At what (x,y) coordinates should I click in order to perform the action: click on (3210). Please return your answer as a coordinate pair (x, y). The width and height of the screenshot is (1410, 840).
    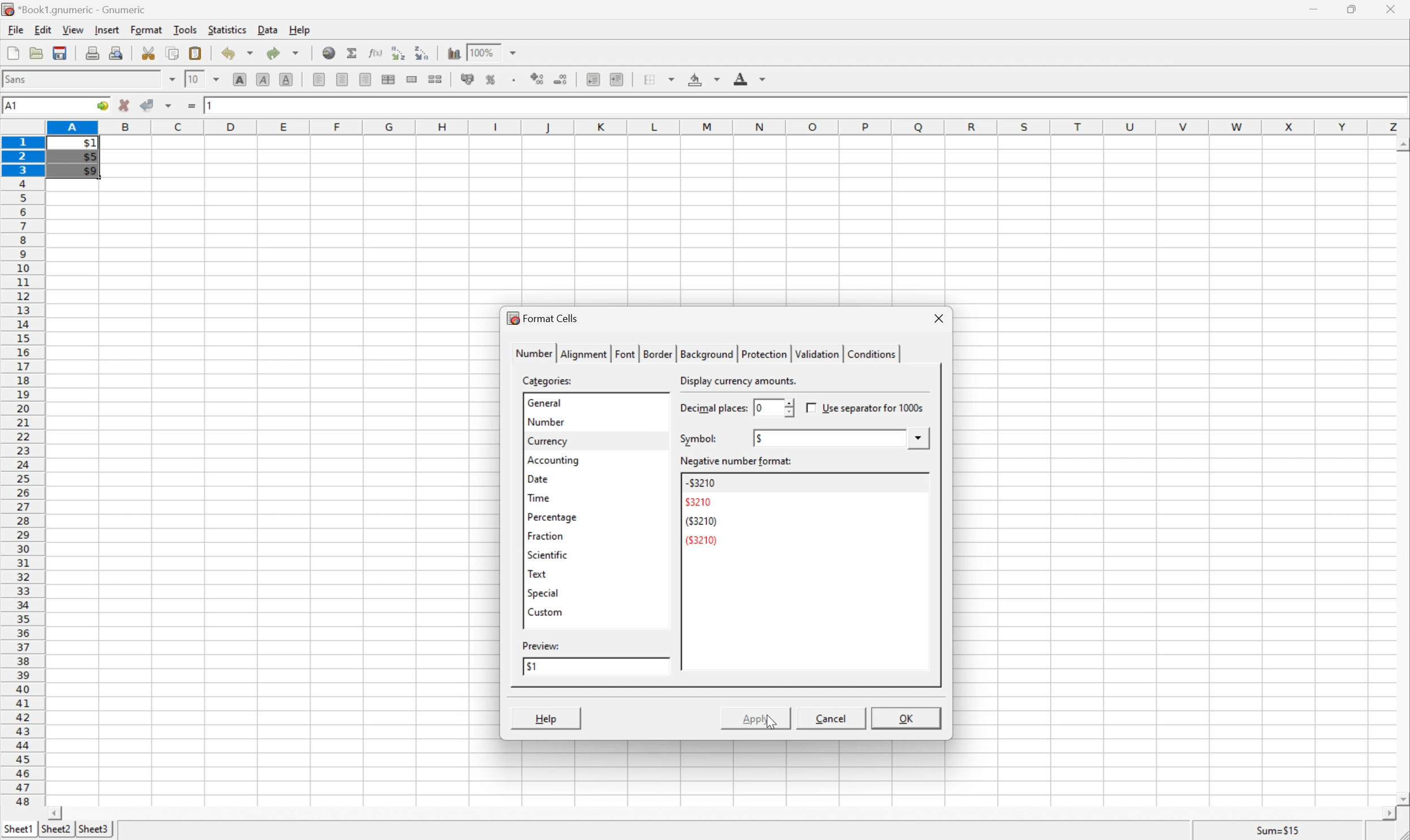
    Looking at the image, I should click on (702, 540).